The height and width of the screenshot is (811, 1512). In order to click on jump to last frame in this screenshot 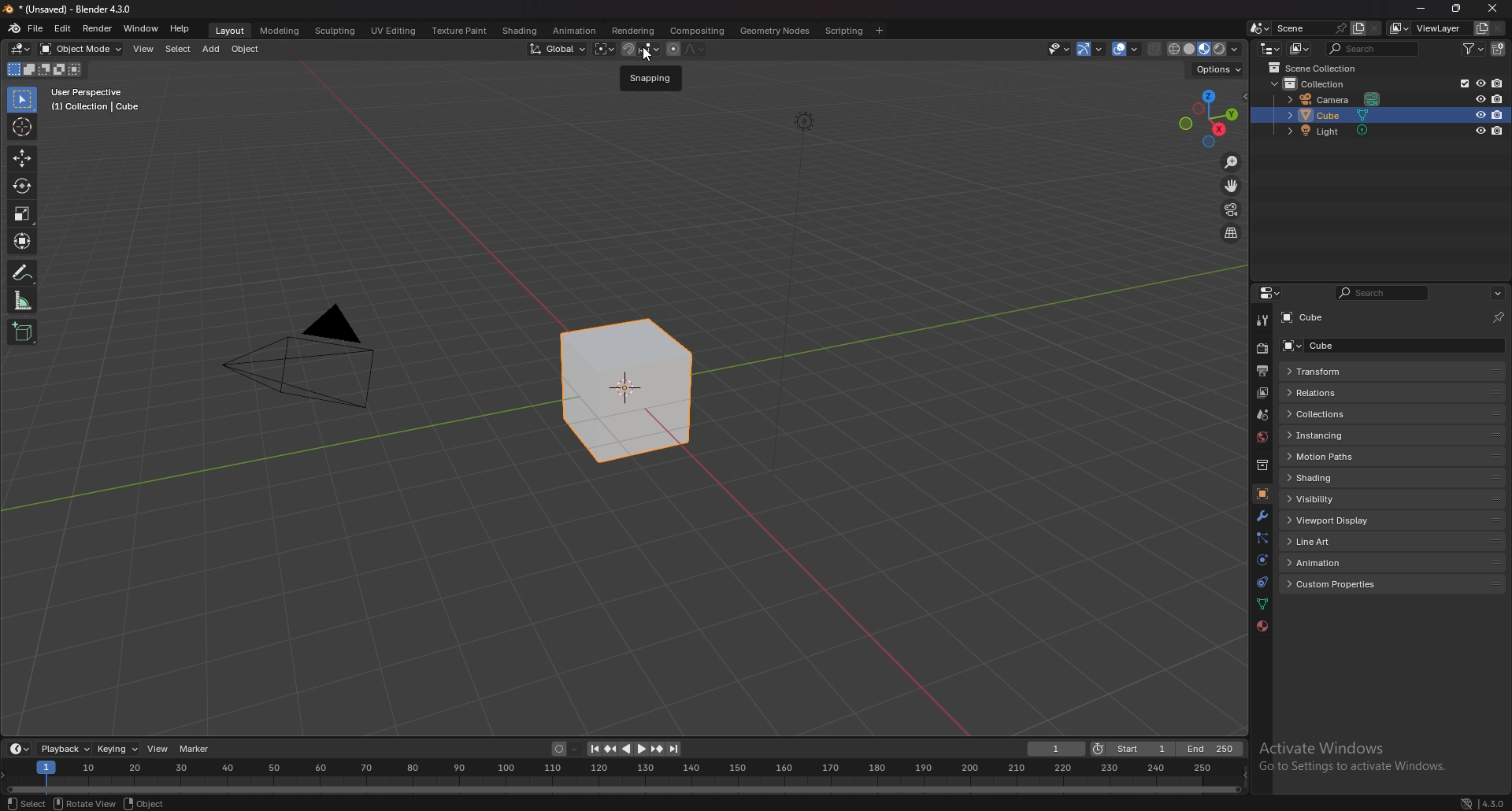, I will do `click(673, 749)`.